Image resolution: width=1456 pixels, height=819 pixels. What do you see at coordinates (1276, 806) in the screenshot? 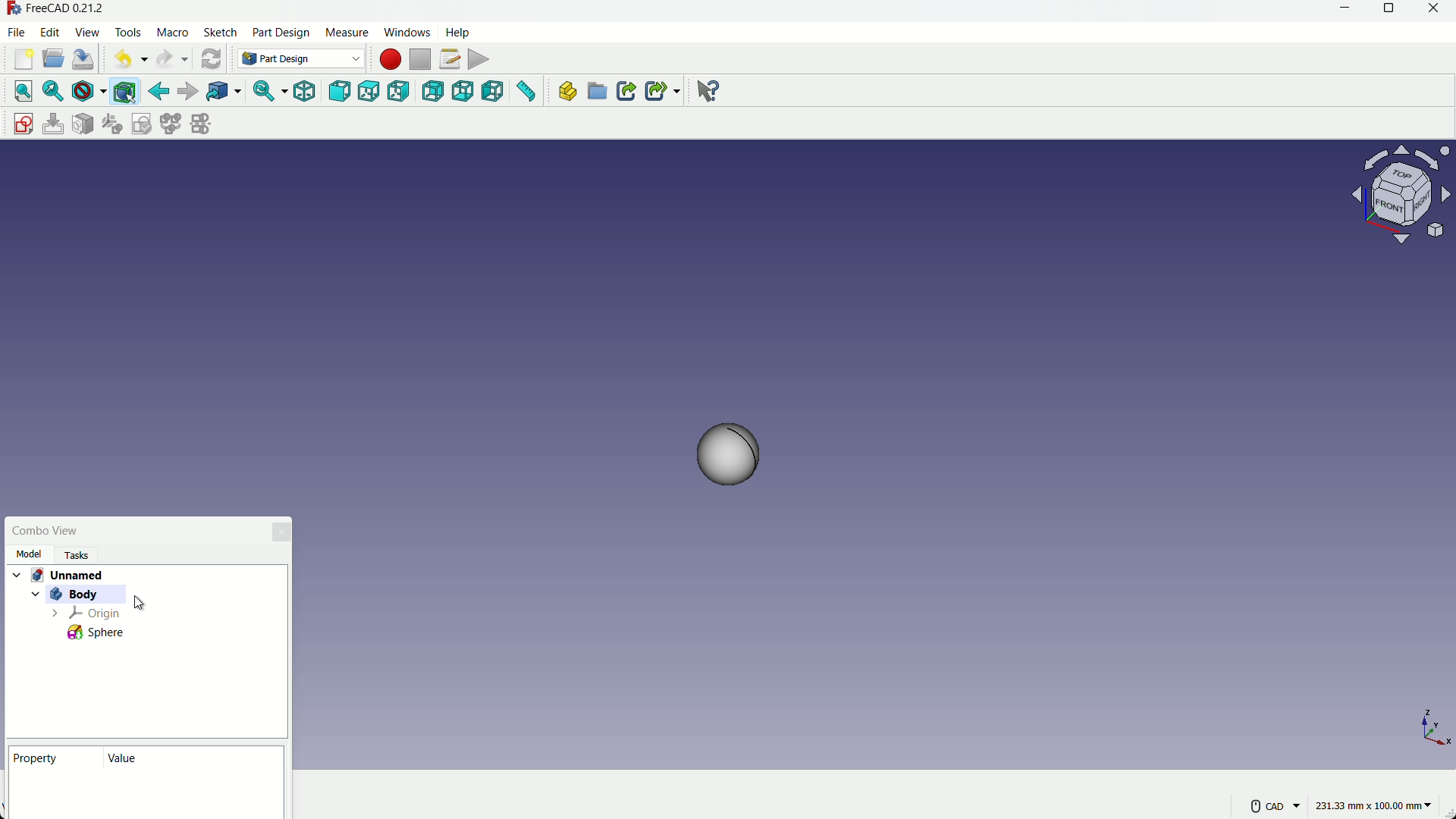
I see `more settings` at bounding box center [1276, 806].